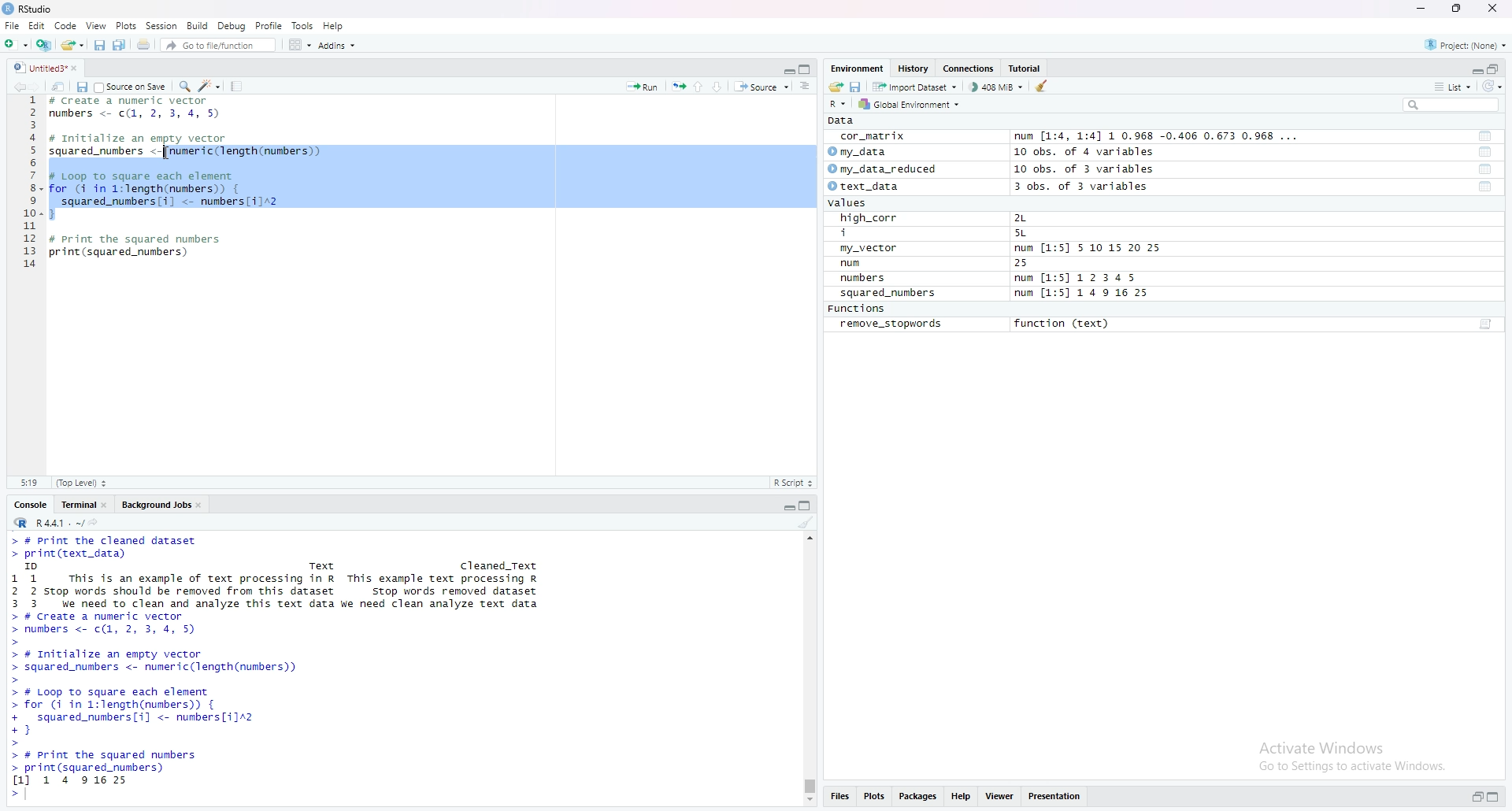  Describe the element at coordinates (1451, 105) in the screenshot. I see `Search` at that location.